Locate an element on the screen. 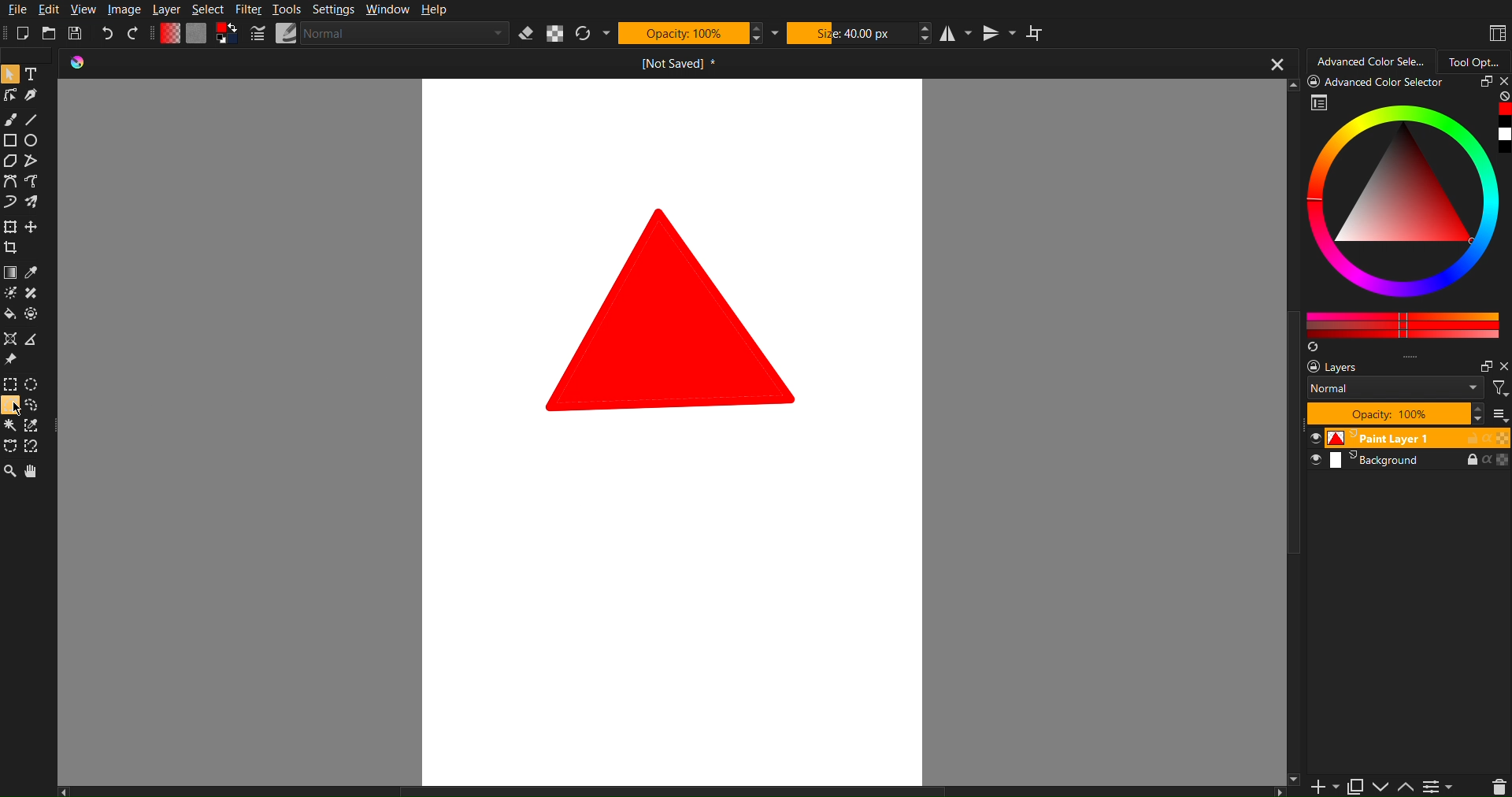 This screenshot has height=797, width=1512. Text is located at coordinates (31, 74).